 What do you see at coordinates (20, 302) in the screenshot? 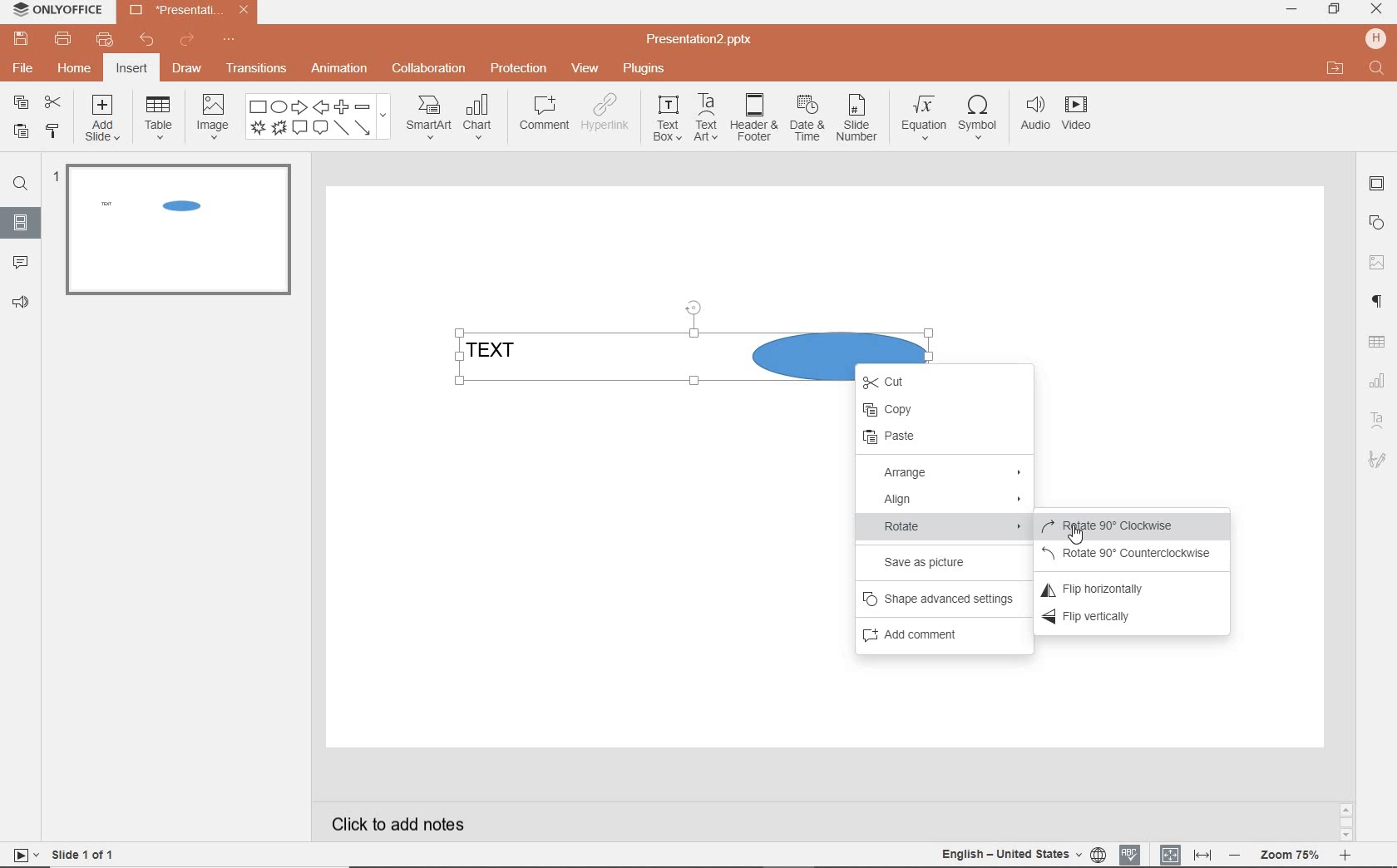
I see `FEEDBACK & SUPPORT` at bounding box center [20, 302].